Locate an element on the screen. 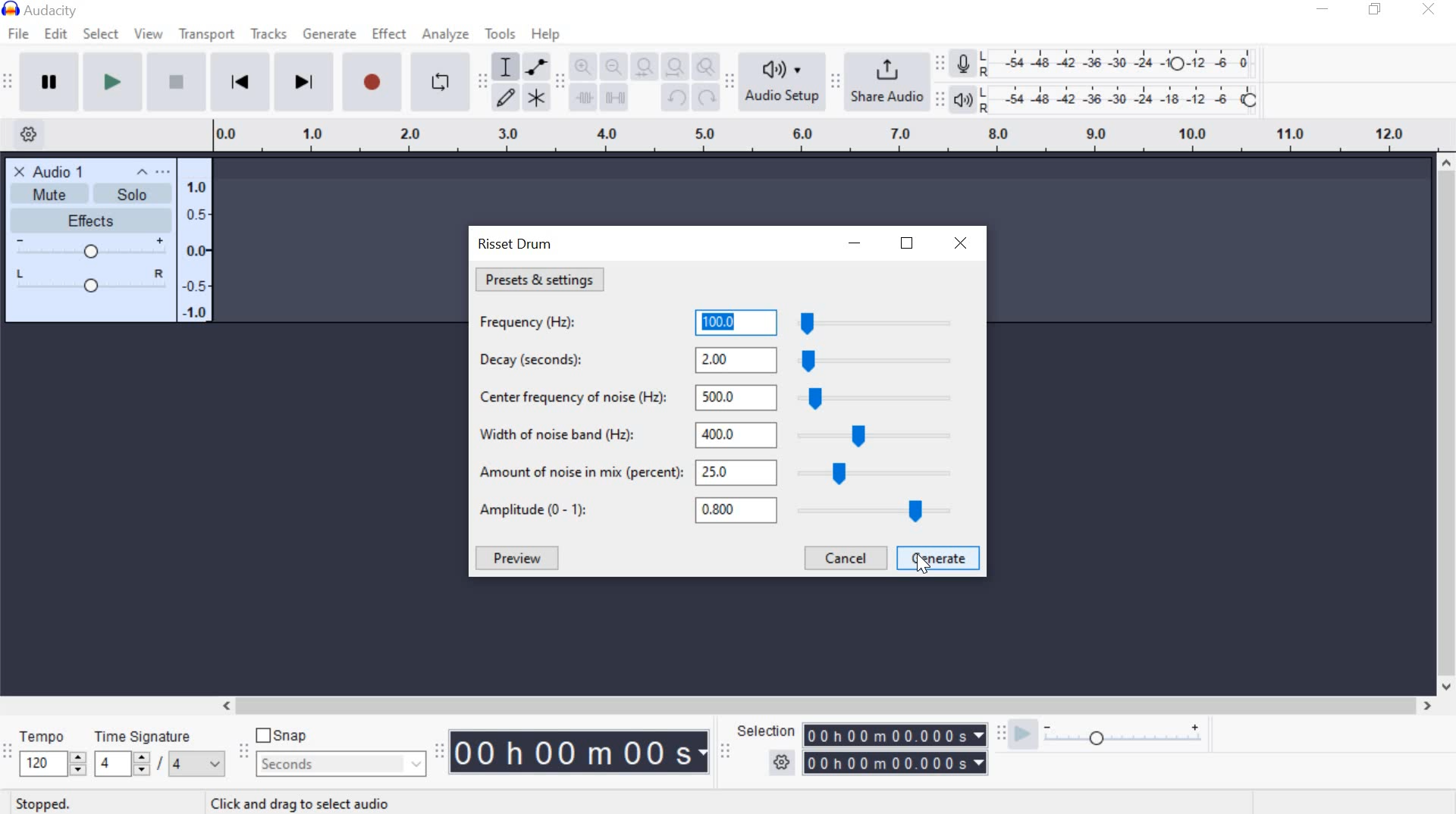  Looping Region is located at coordinates (823, 136).